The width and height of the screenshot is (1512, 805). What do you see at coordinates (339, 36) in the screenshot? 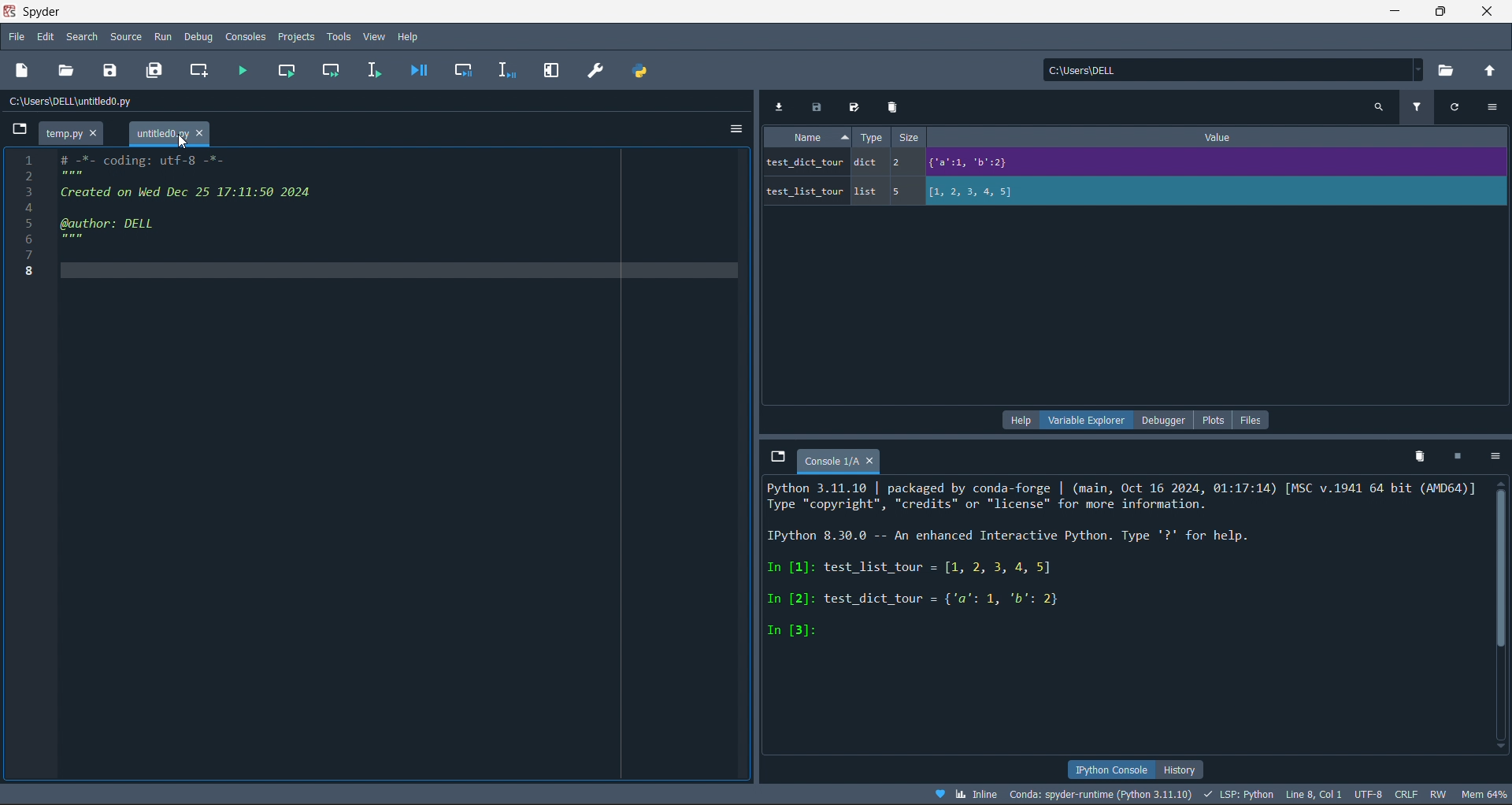
I see `tools` at bounding box center [339, 36].